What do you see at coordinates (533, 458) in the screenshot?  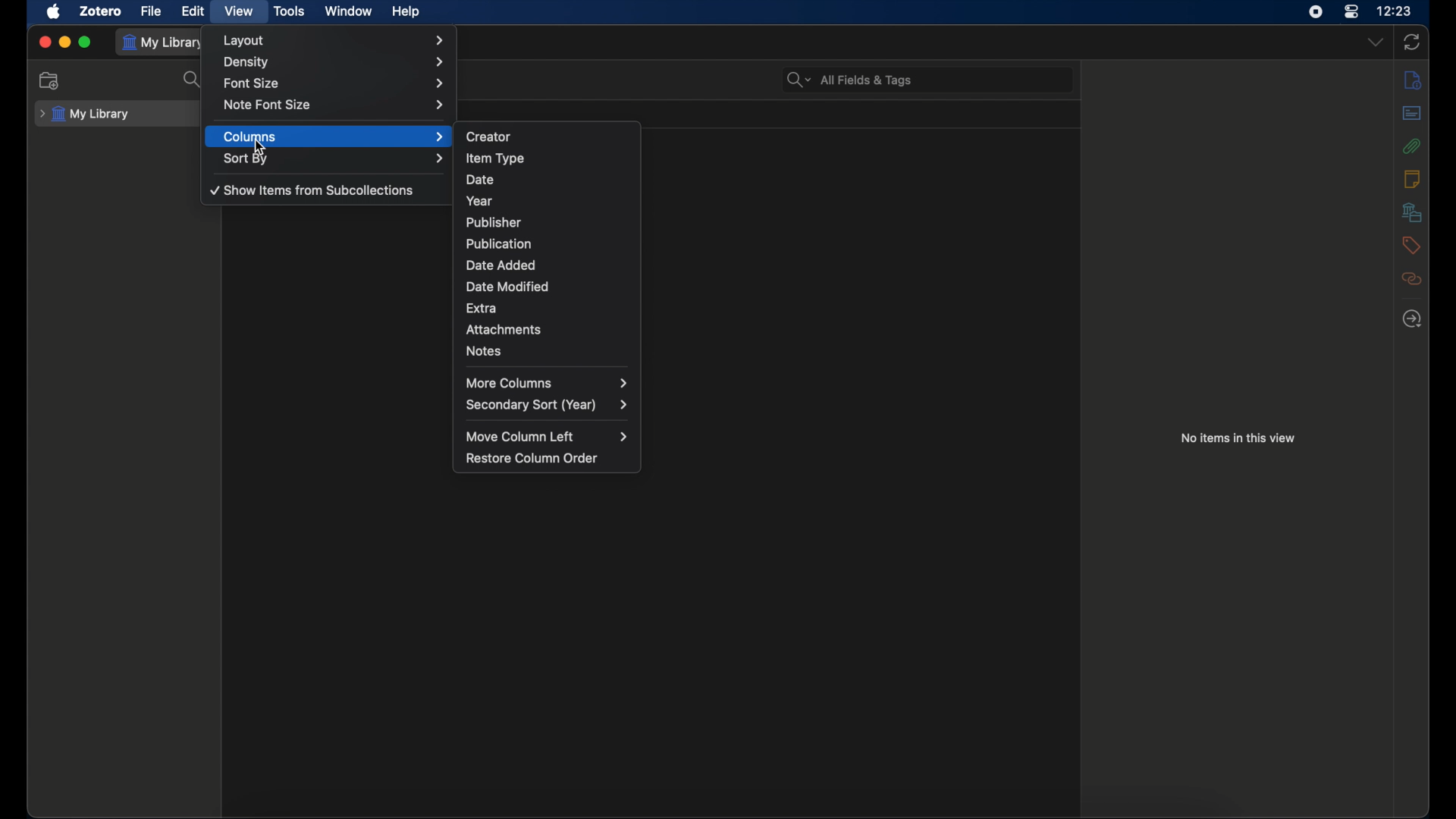 I see `restore column order` at bounding box center [533, 458].